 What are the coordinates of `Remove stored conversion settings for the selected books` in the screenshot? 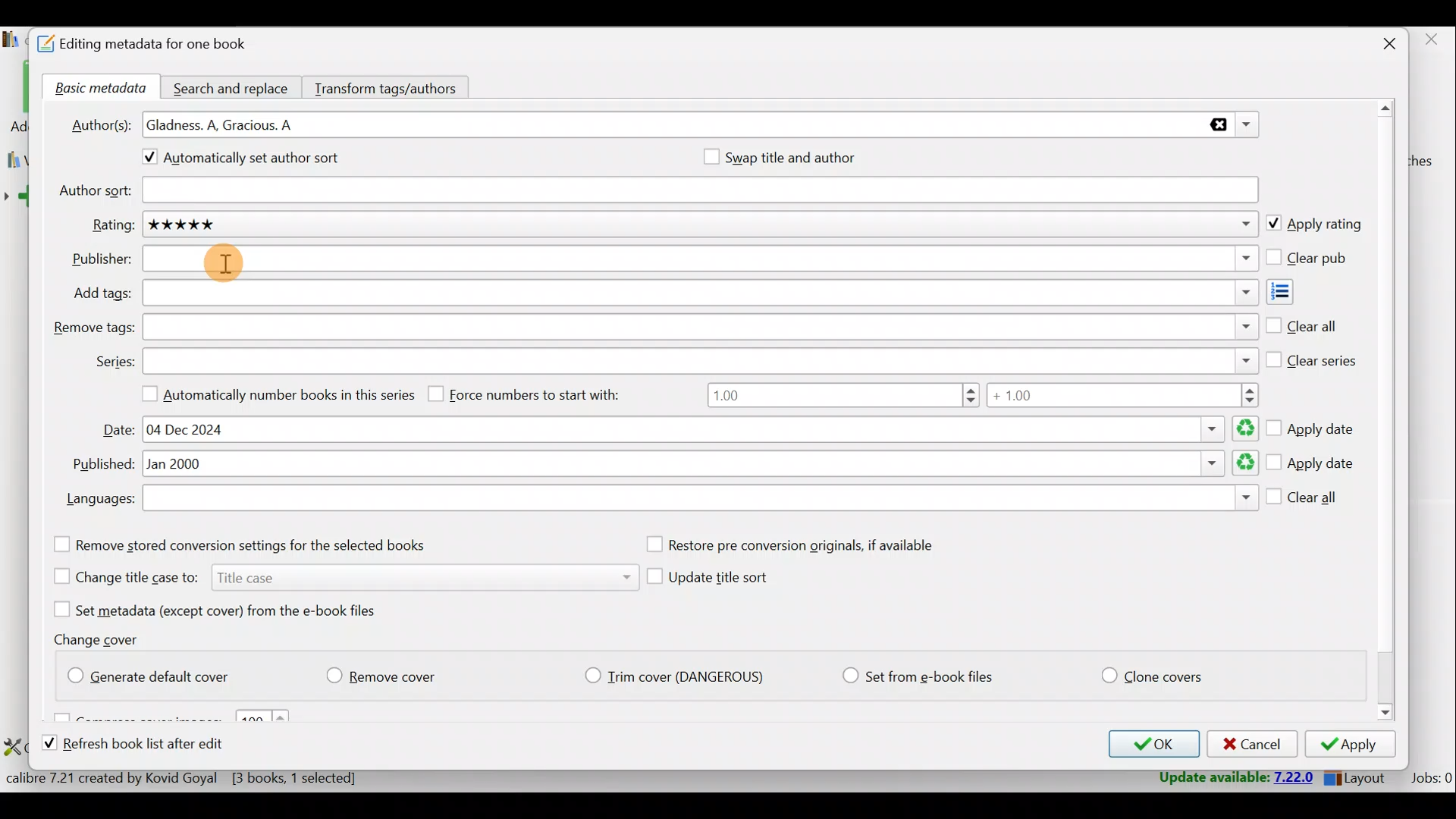 It's located at (260, 544).